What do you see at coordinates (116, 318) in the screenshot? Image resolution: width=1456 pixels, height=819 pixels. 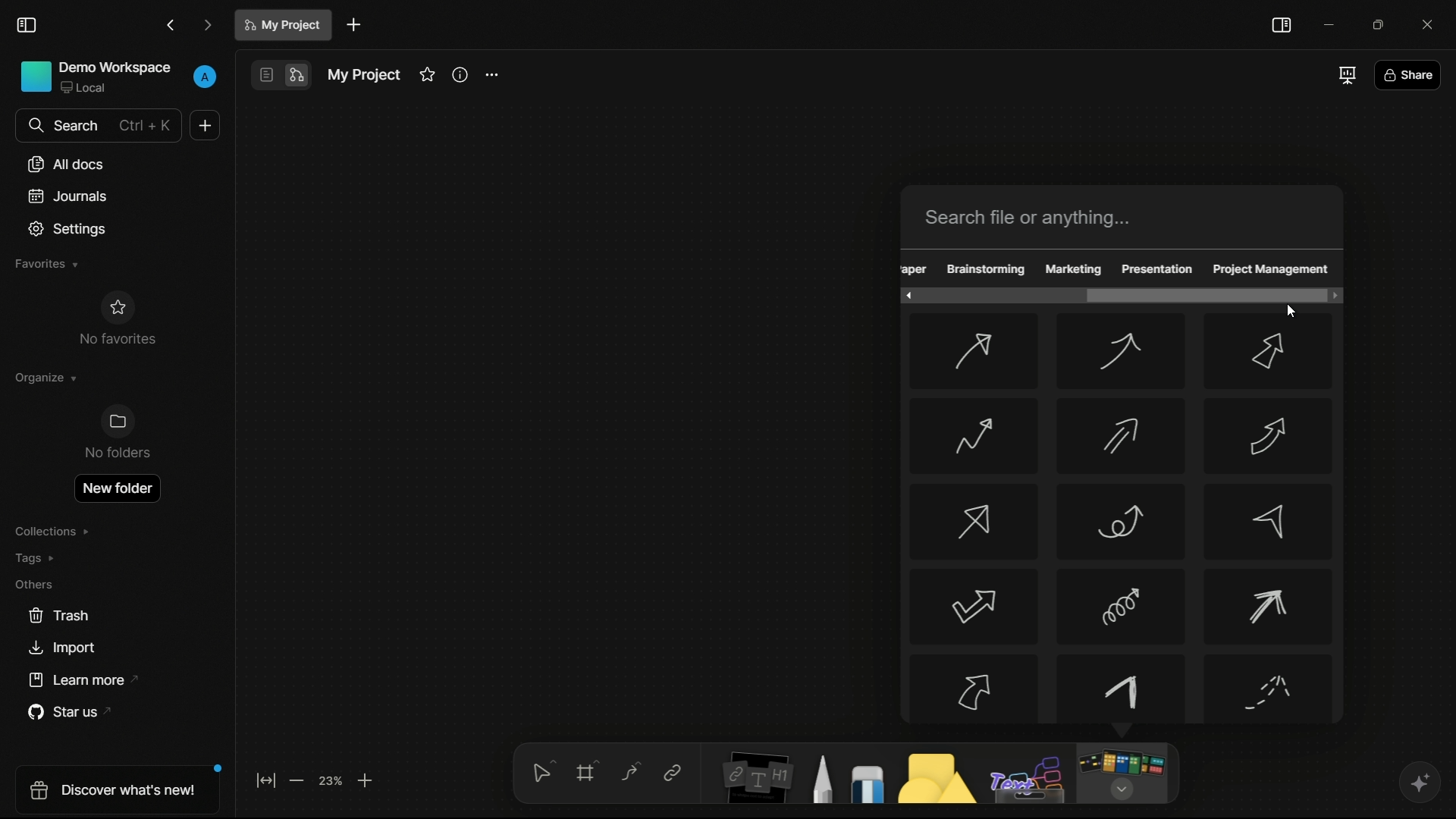 I see `no favorites` at bounding box center [116, 318].